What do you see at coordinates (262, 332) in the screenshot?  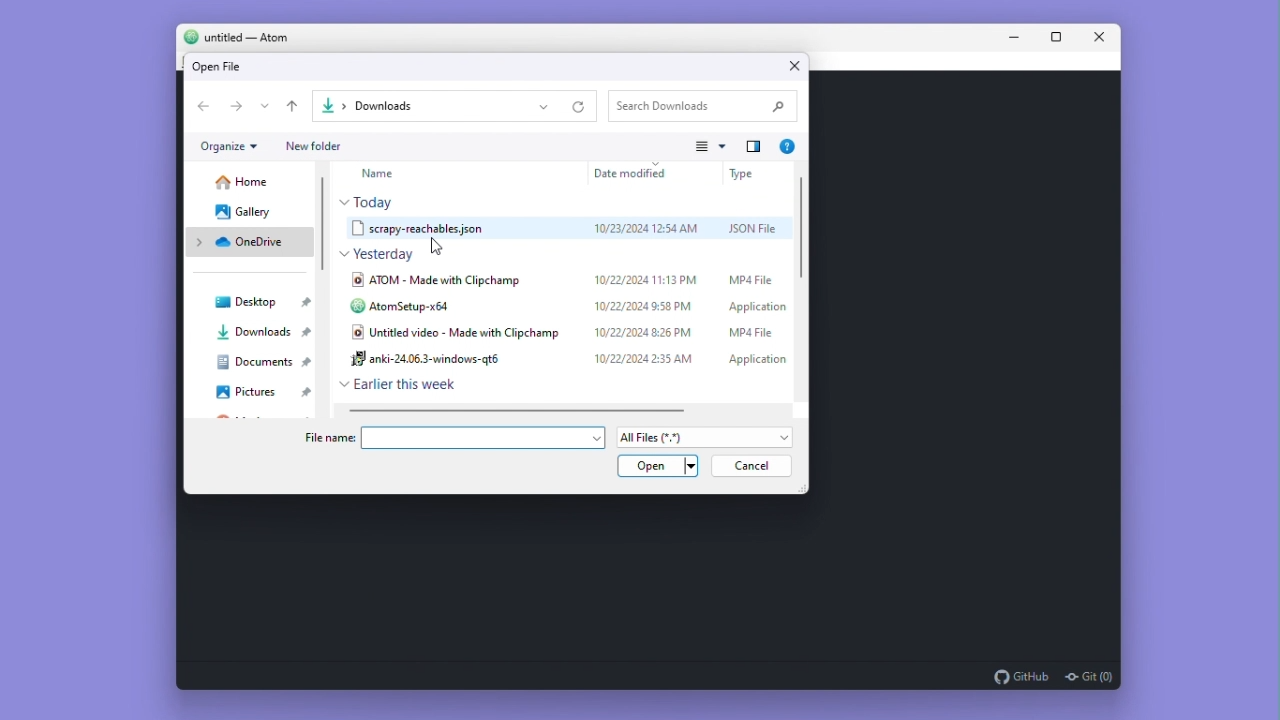 I see `Downloads` at bounding box center [262, 332].